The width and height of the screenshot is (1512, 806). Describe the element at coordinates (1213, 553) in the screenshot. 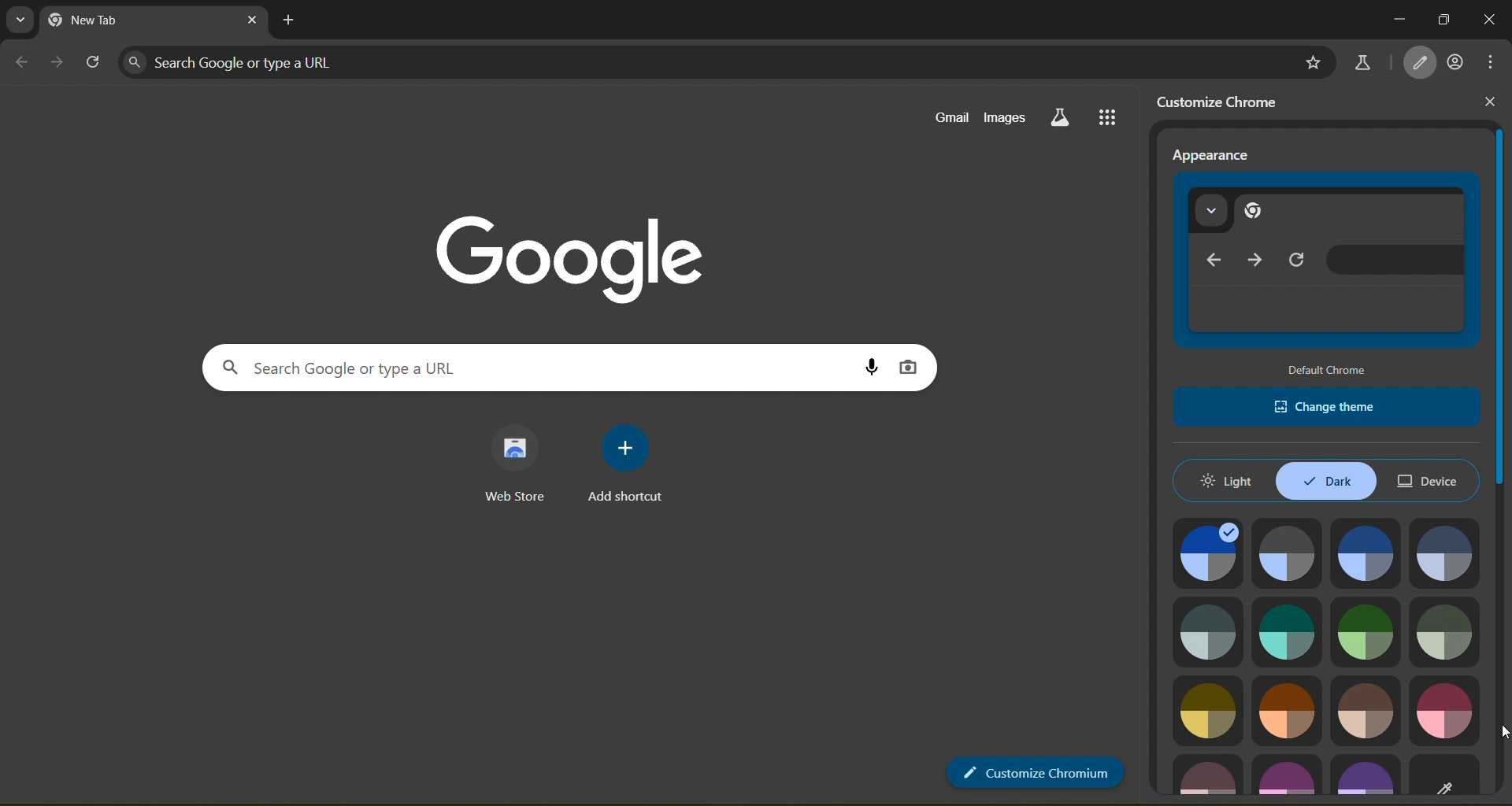

I see `image` at that location.